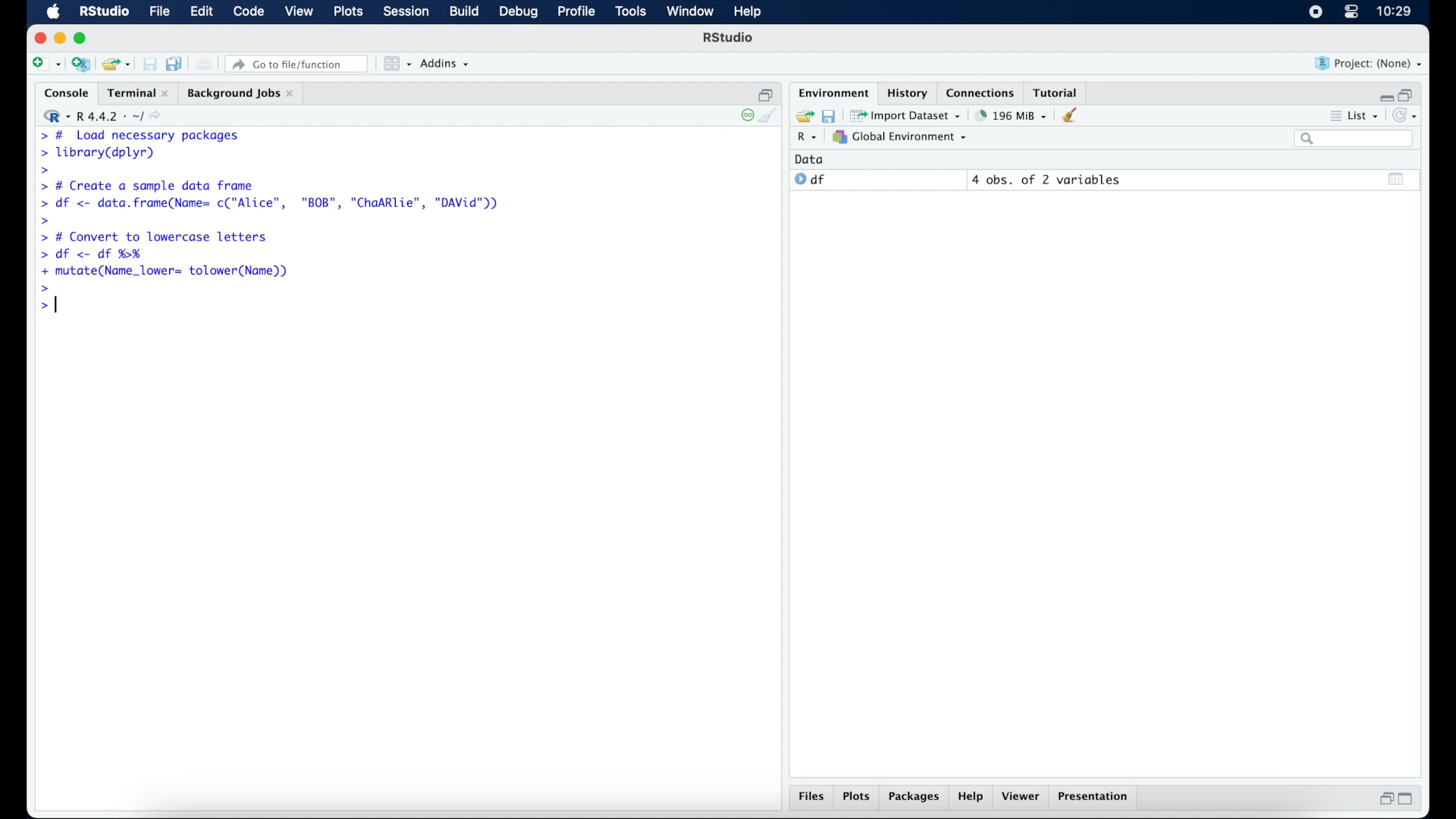 This screenshot has height=819, width=1456. I want to click on profile, so click(576, 12).